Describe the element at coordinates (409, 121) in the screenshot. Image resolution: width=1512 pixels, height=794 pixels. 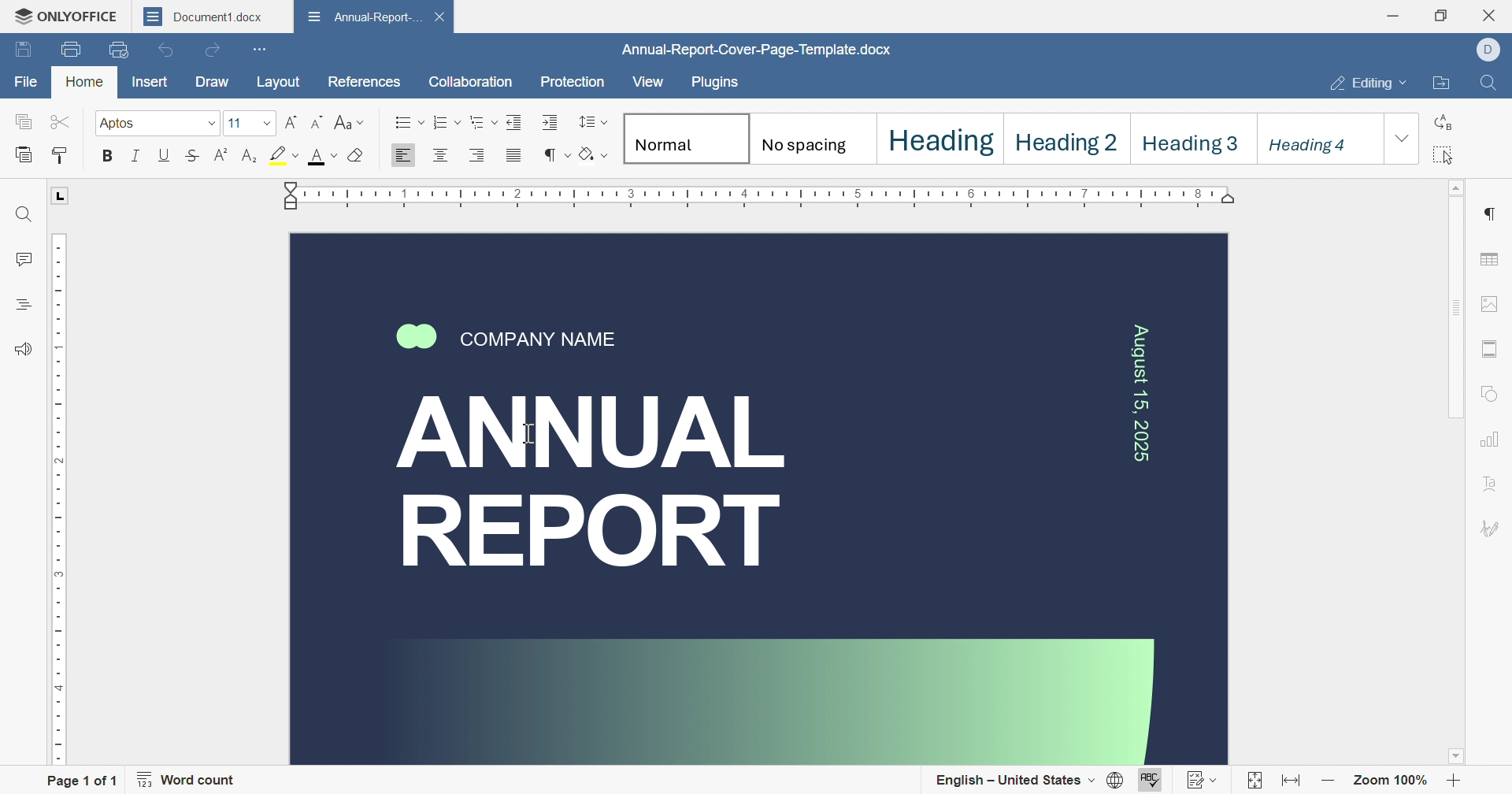
I see `bullets` at that location.